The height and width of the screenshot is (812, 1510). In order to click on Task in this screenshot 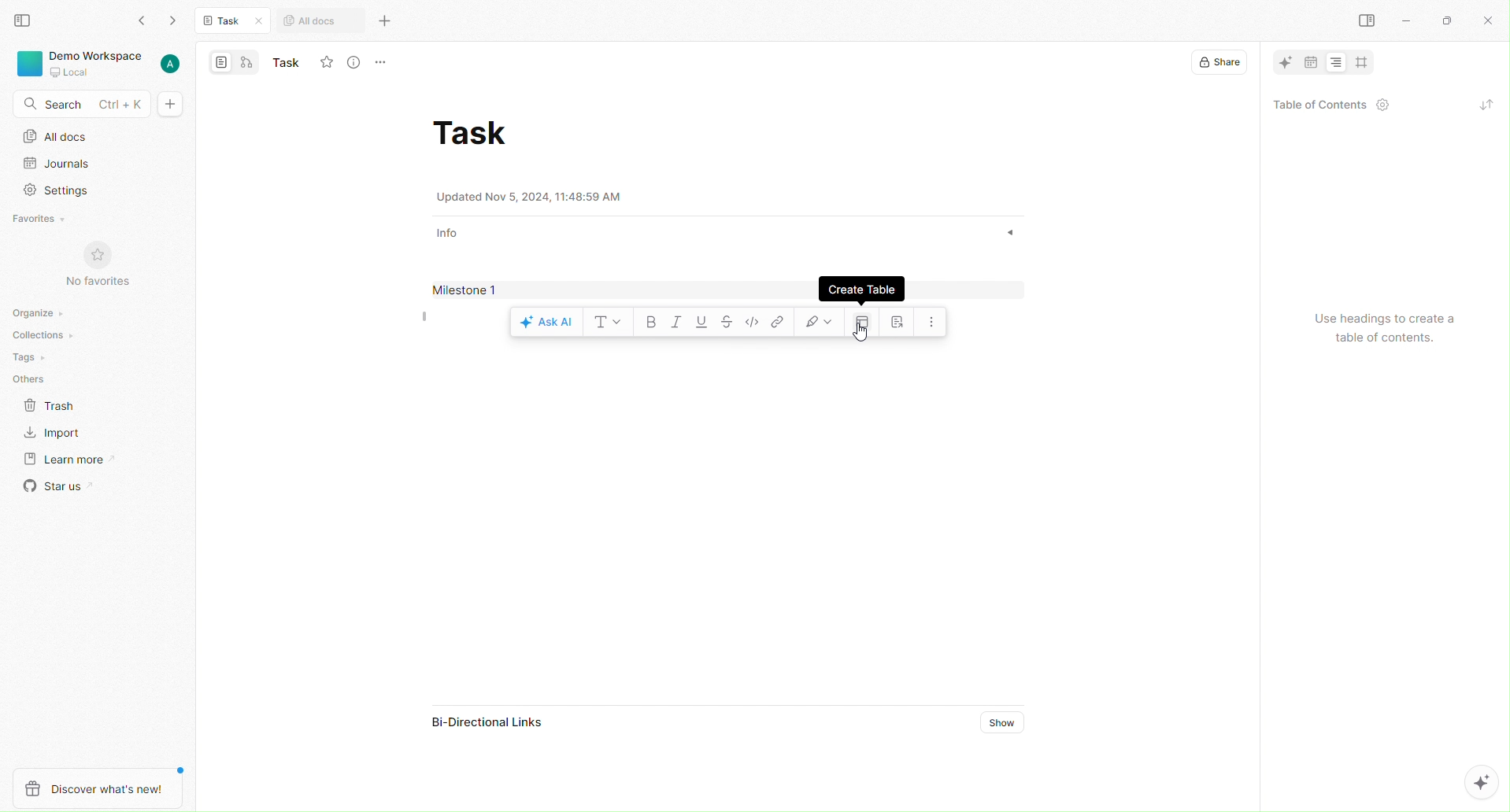, I will do `click(228, 21)`.